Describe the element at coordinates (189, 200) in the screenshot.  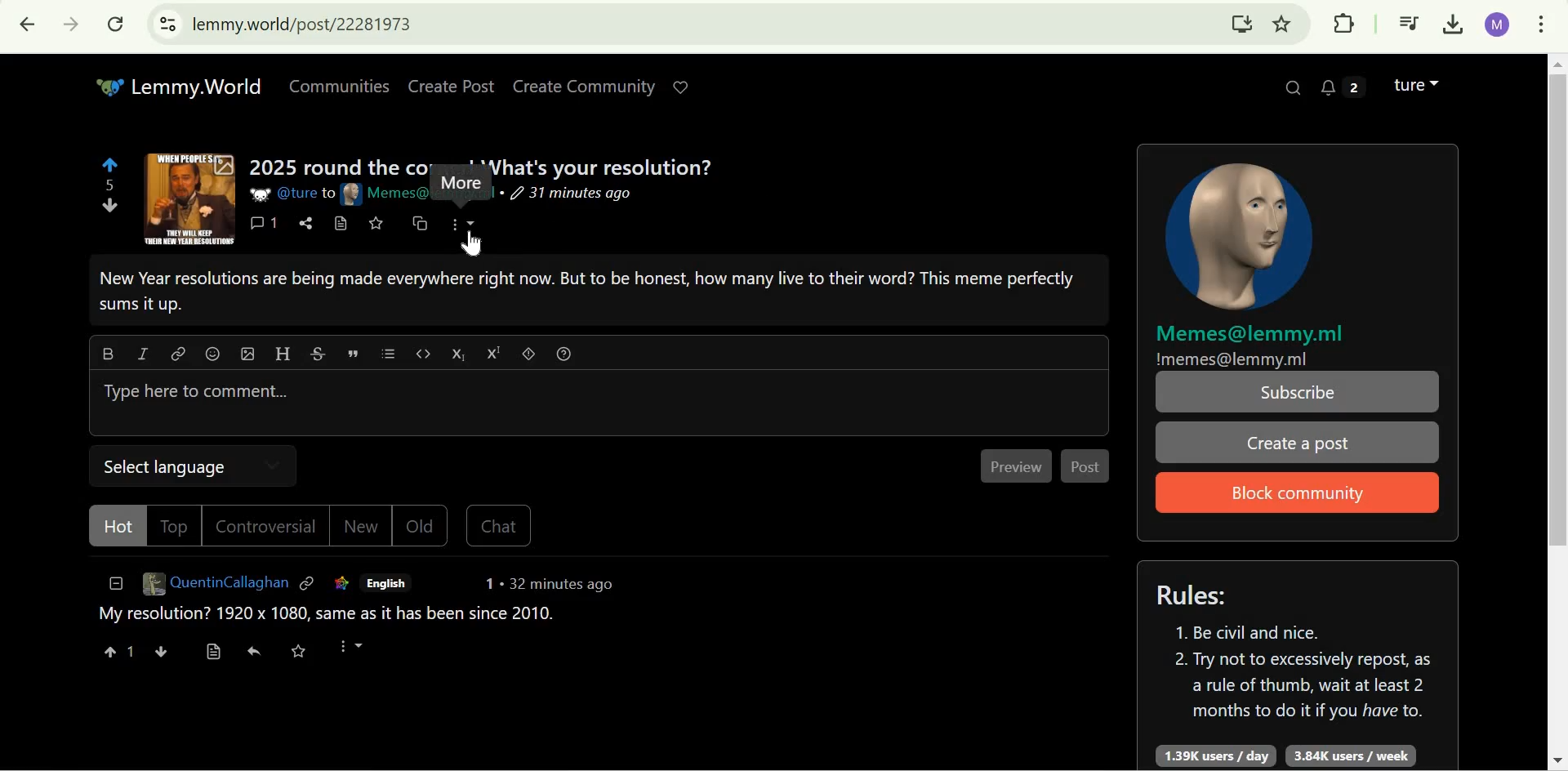
I see `expand here` at that location.